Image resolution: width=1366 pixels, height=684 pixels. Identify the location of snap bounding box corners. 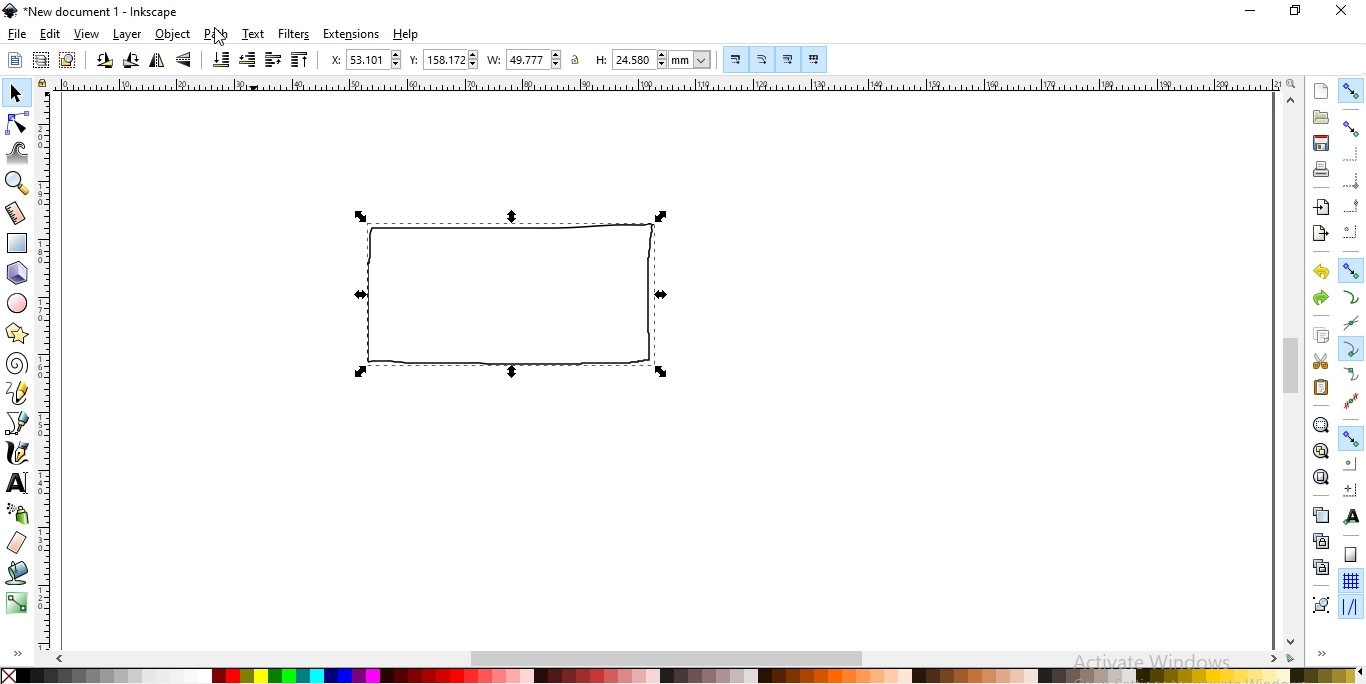
(1353, 181).